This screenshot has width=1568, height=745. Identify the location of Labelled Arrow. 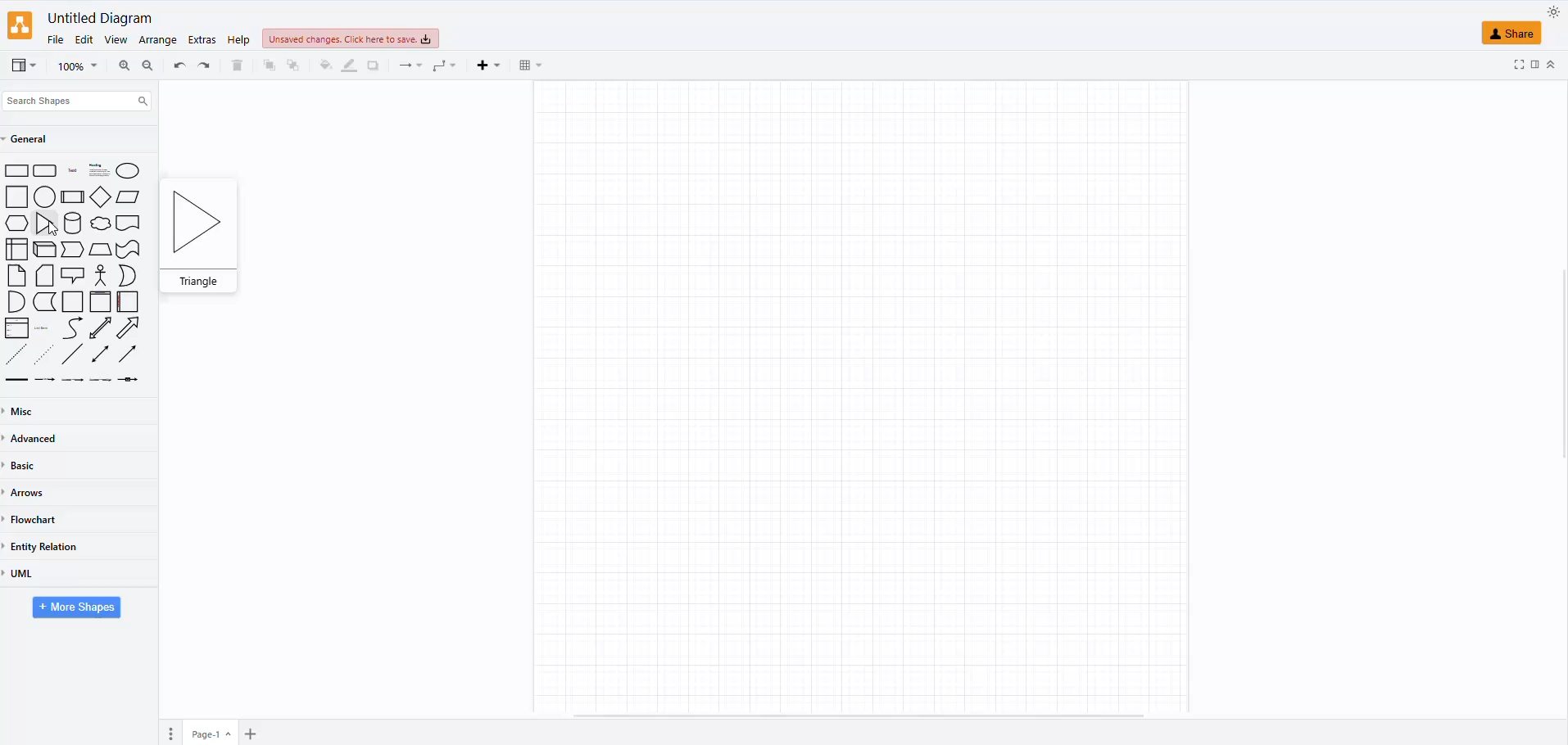
(129, 379).